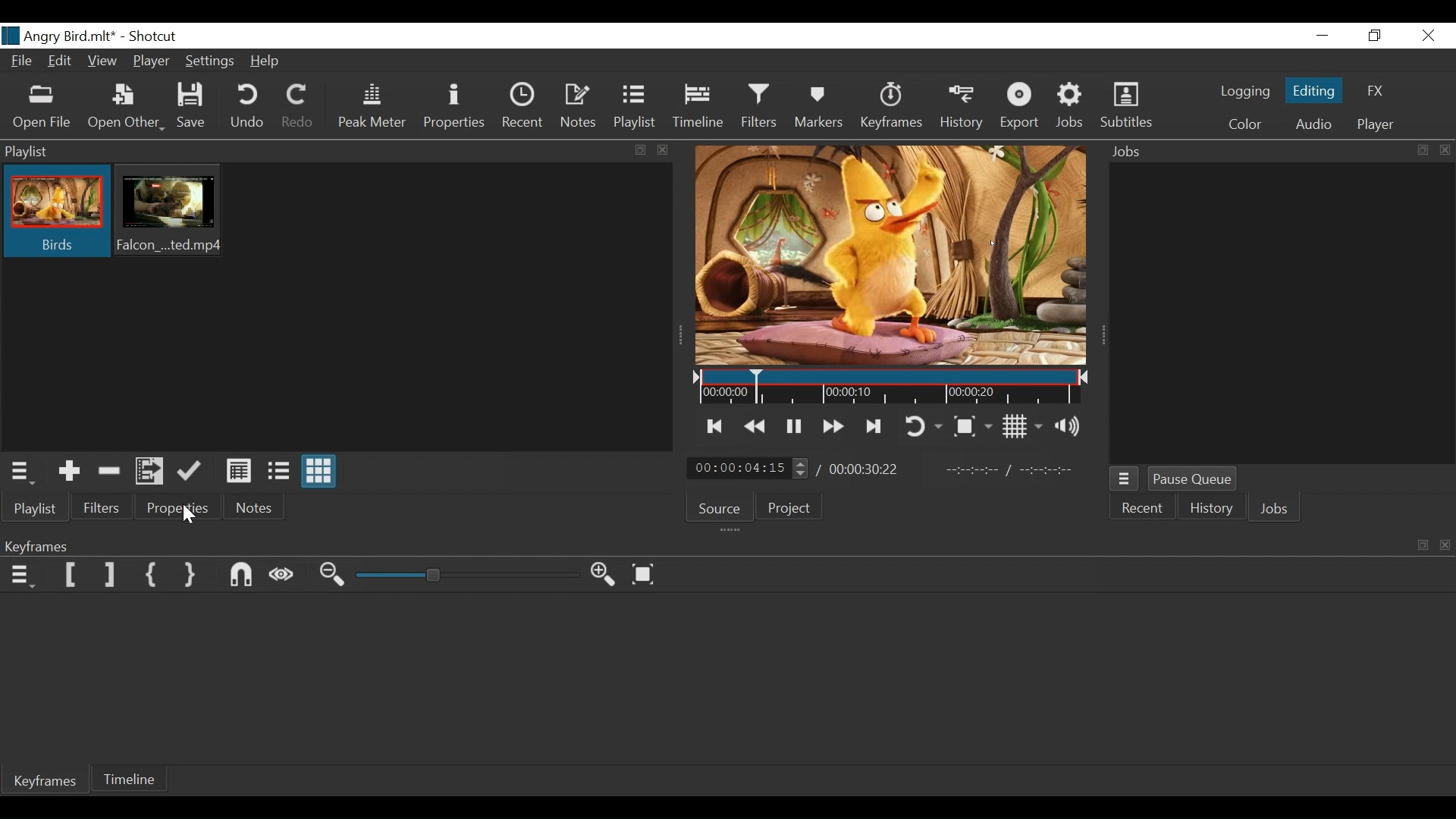  Describe the element at coordinates (647, 575) in the screenshot. I see `Zoom keyframe to fit` at that location.